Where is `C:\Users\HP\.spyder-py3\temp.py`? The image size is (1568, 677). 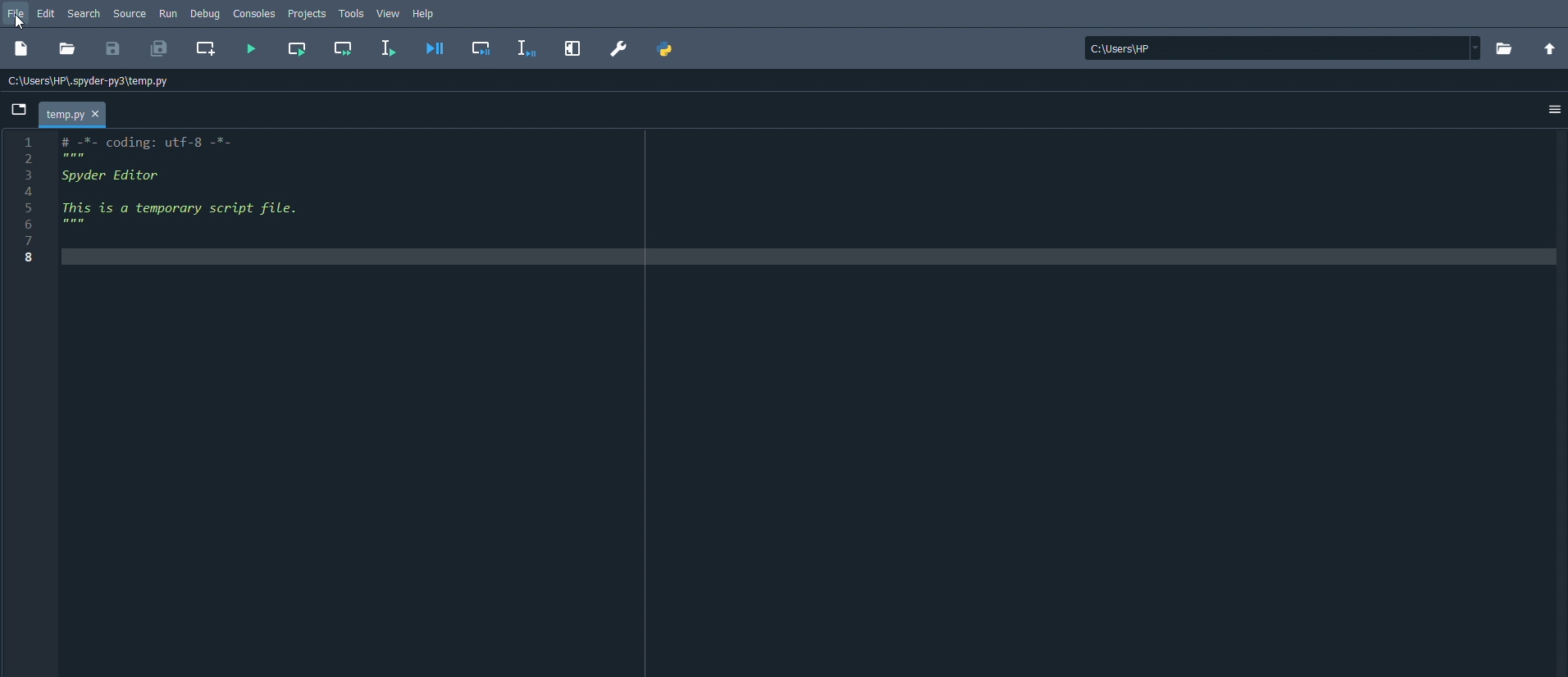 C:\Users\HP\.spyder-py3\temp.py is located at coordinates (92, 81).